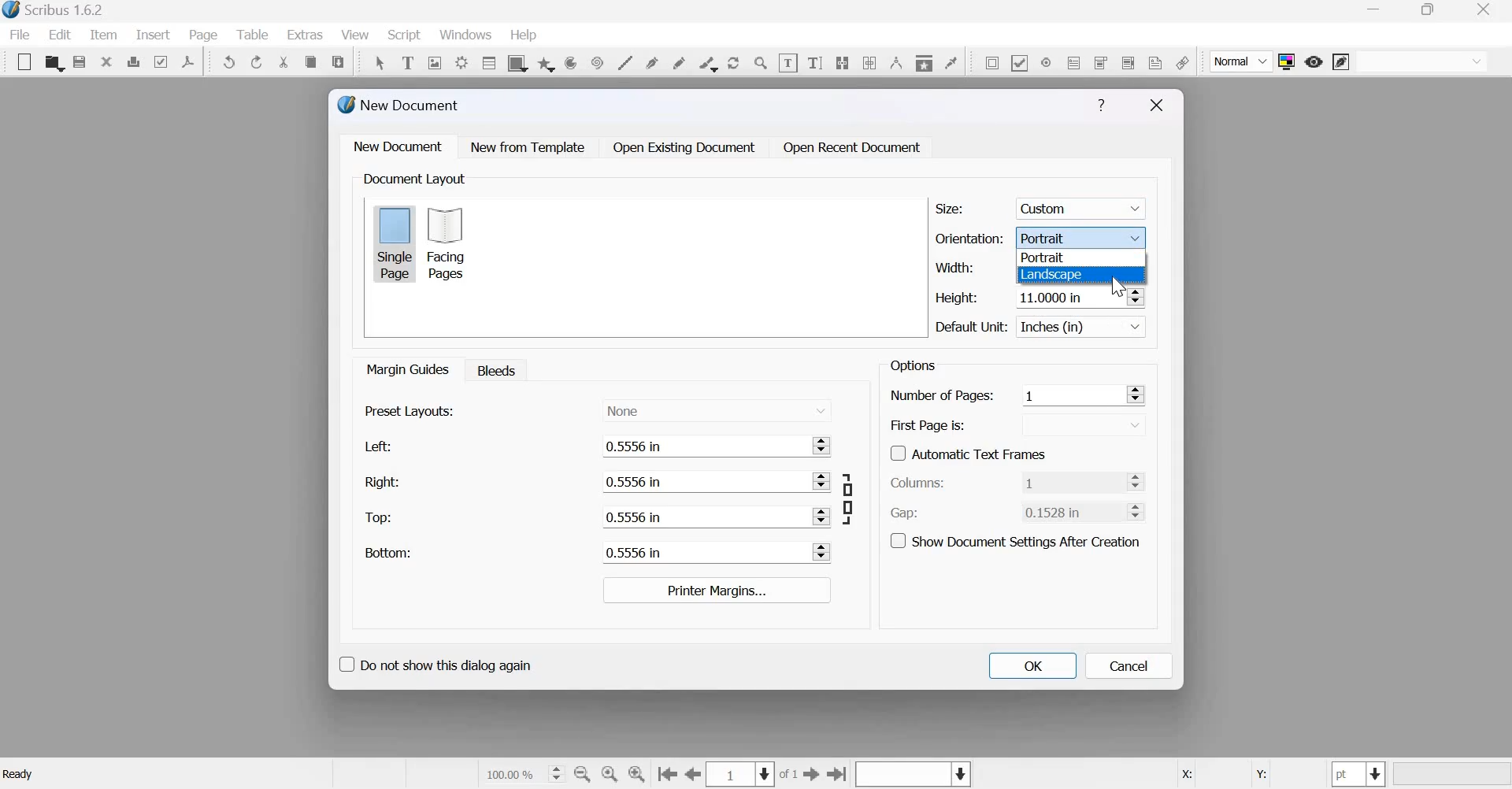 The width and height of the screenshot is (1512, 789). What do you see at coordinates (1119, 287) in the screenshot?
I see `cursor` at bounding box center [1119, 287].